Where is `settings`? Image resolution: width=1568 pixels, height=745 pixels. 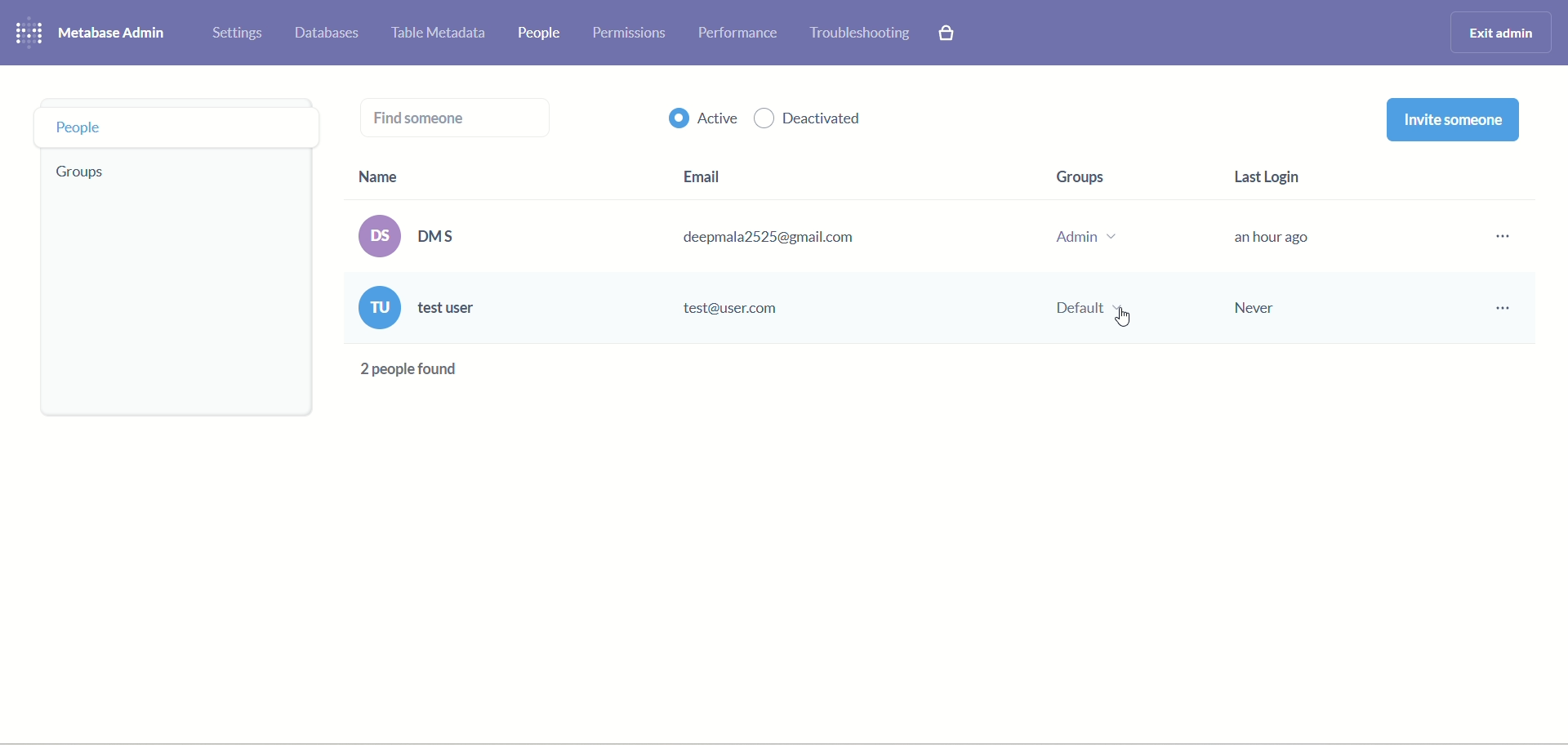
settings is located at coordinates (238, 34).